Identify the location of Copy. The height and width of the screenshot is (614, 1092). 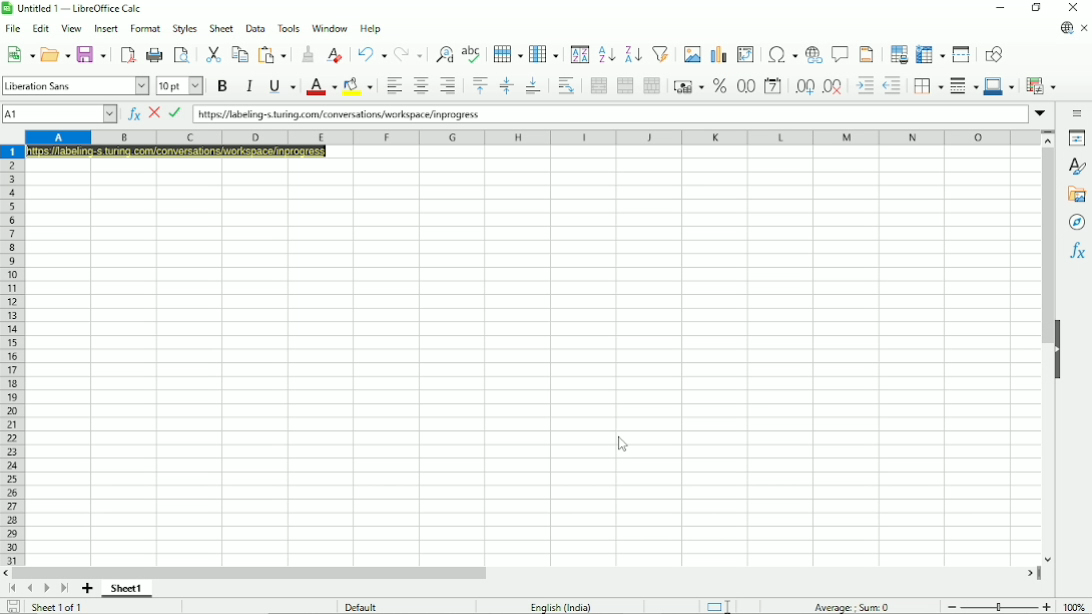
(240, 53).